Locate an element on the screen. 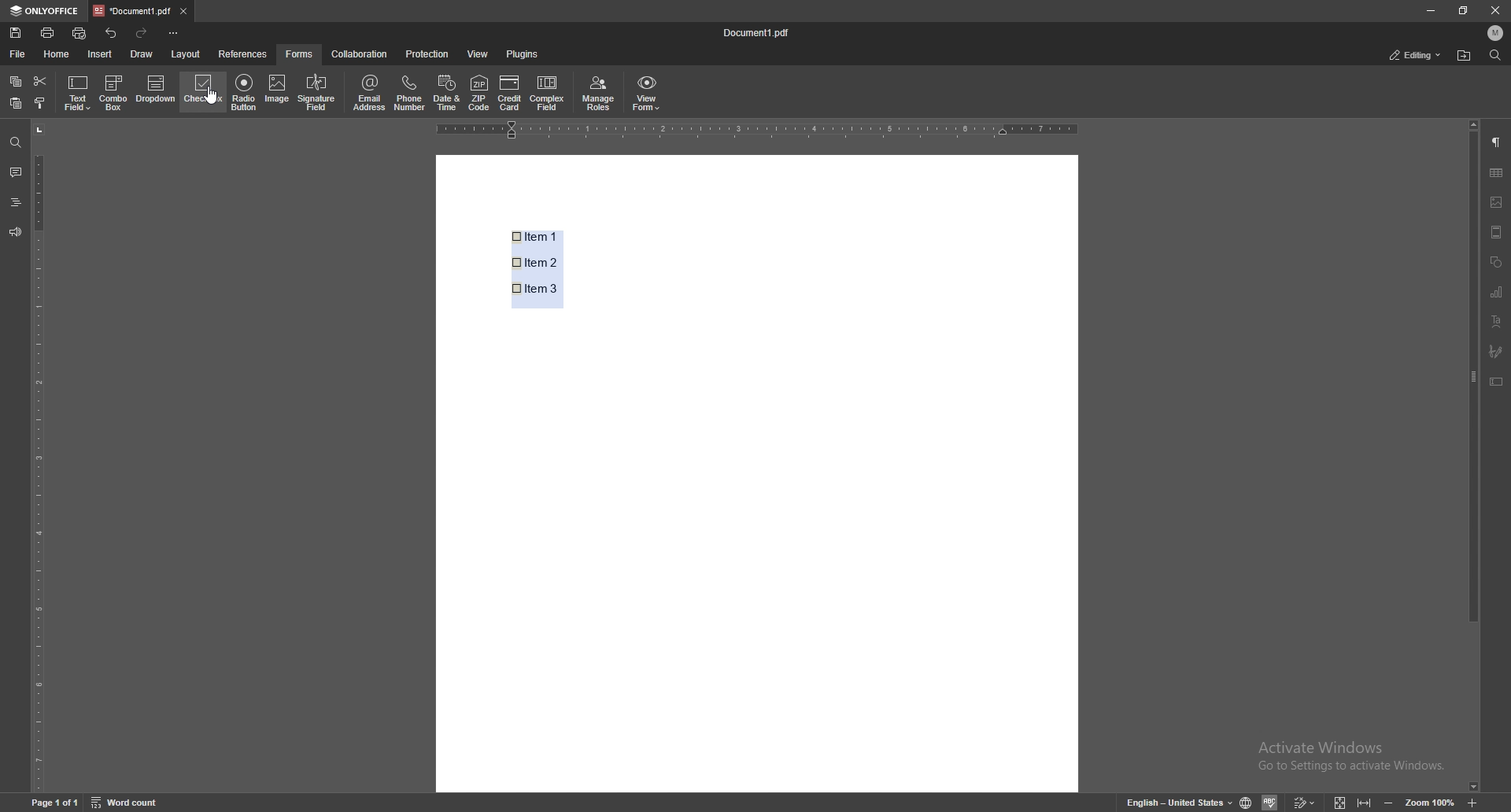  feedback is located at coordinates (16, 233).